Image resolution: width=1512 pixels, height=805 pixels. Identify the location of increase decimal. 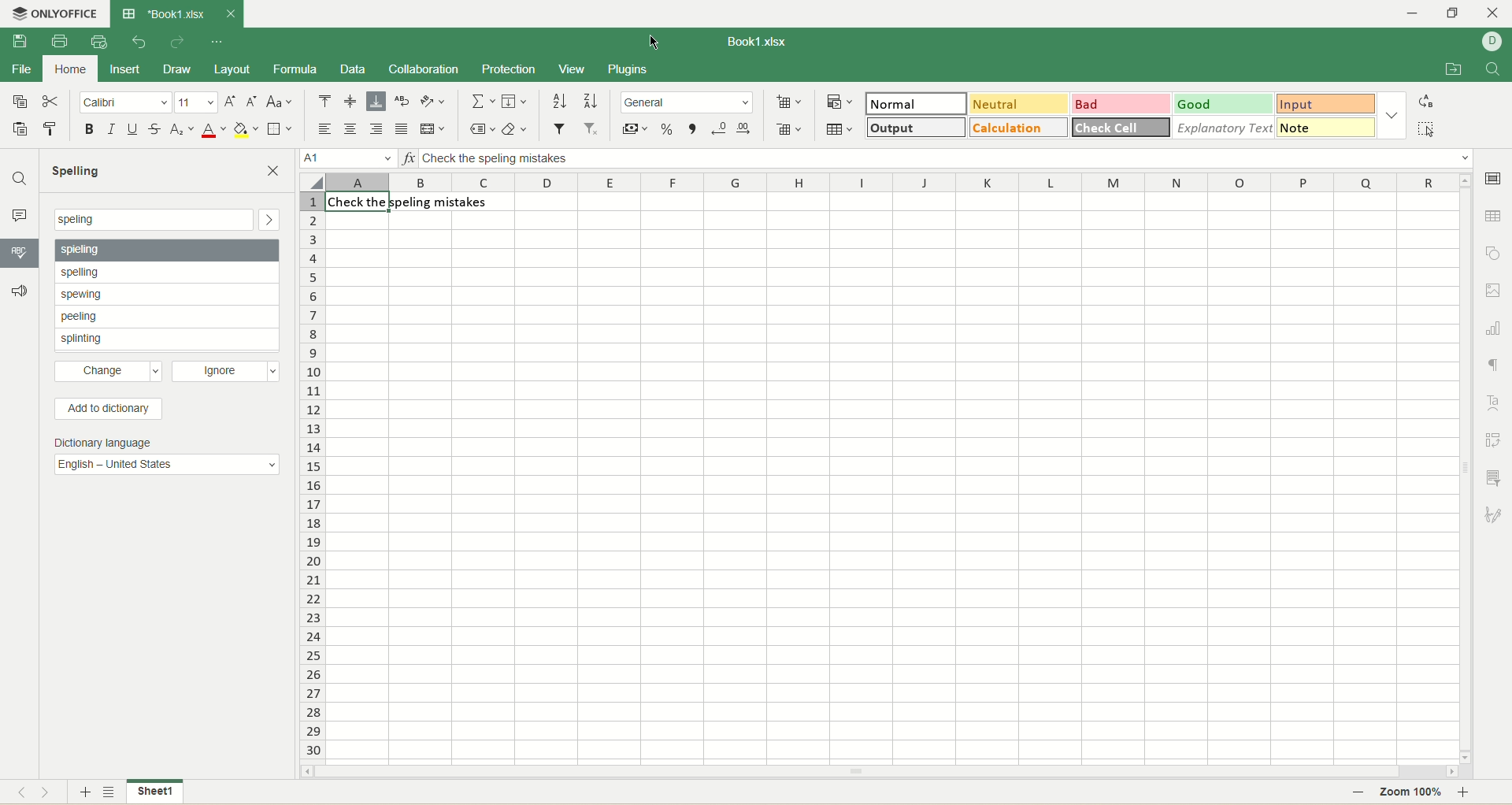
(743, 128).